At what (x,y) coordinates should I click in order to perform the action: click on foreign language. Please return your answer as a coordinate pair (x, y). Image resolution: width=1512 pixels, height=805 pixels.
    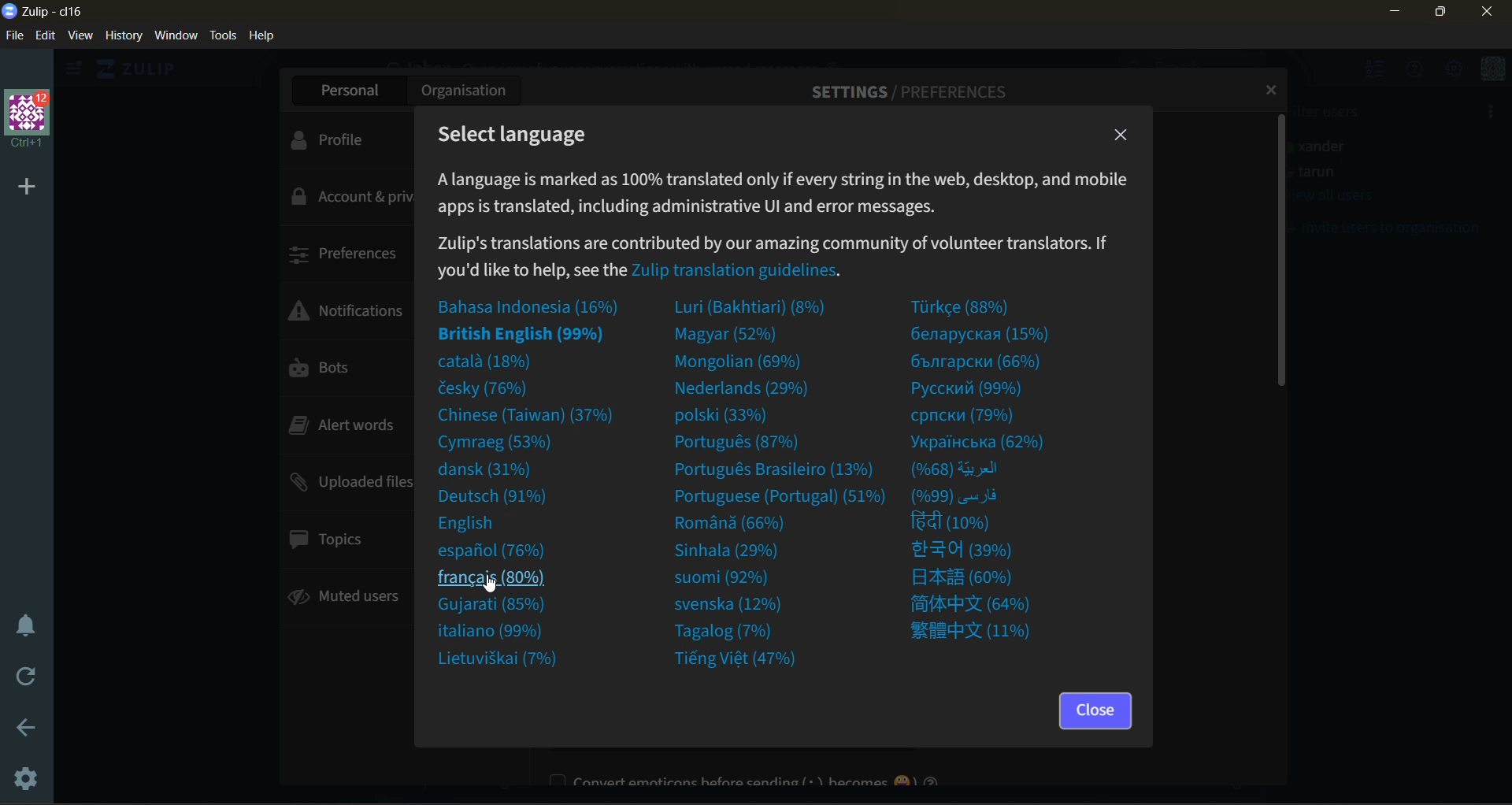
    Looking at the image, I should click on (966, 495).